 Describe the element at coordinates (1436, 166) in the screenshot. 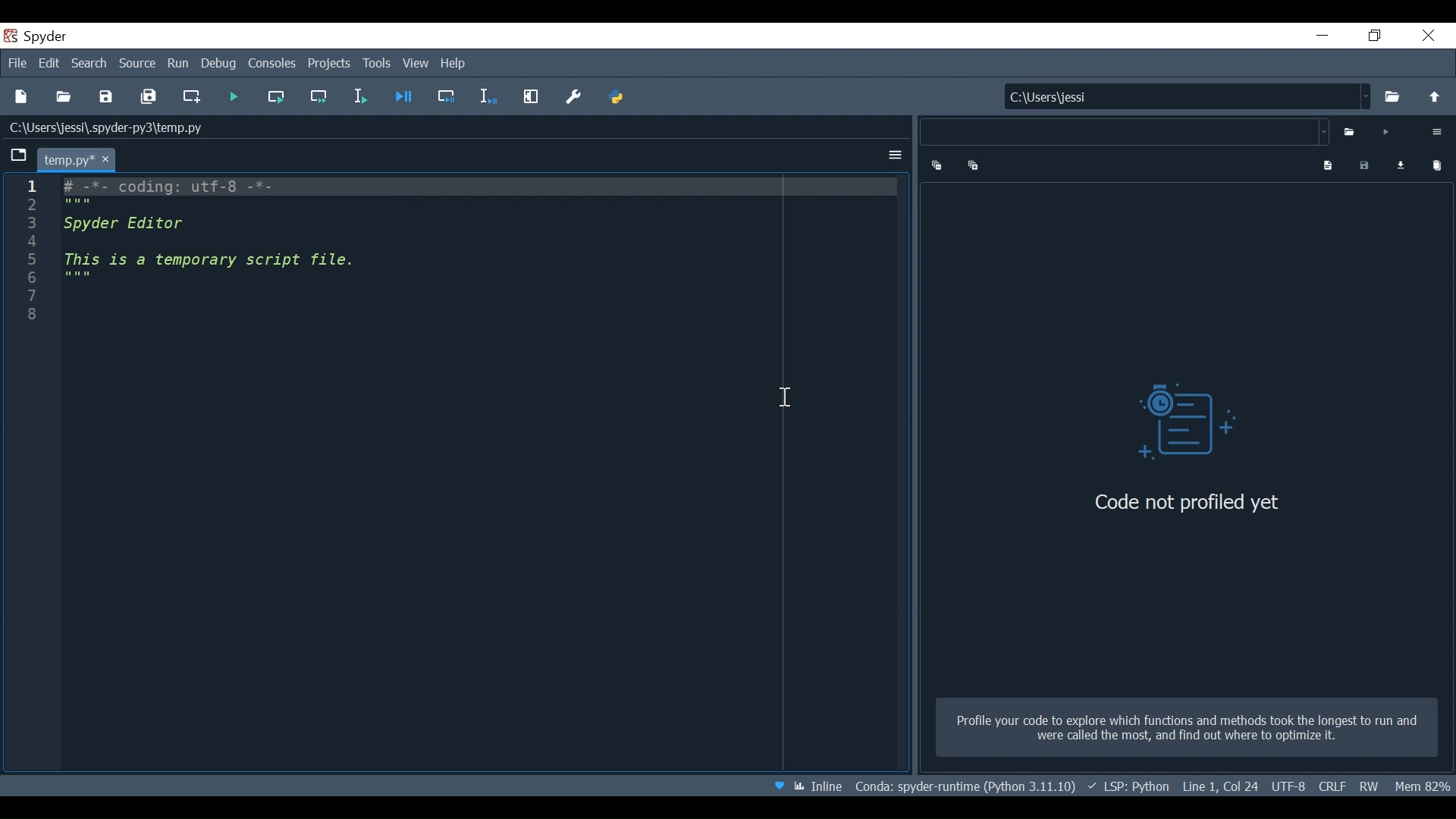

I see `Clear Comparison` at that location.